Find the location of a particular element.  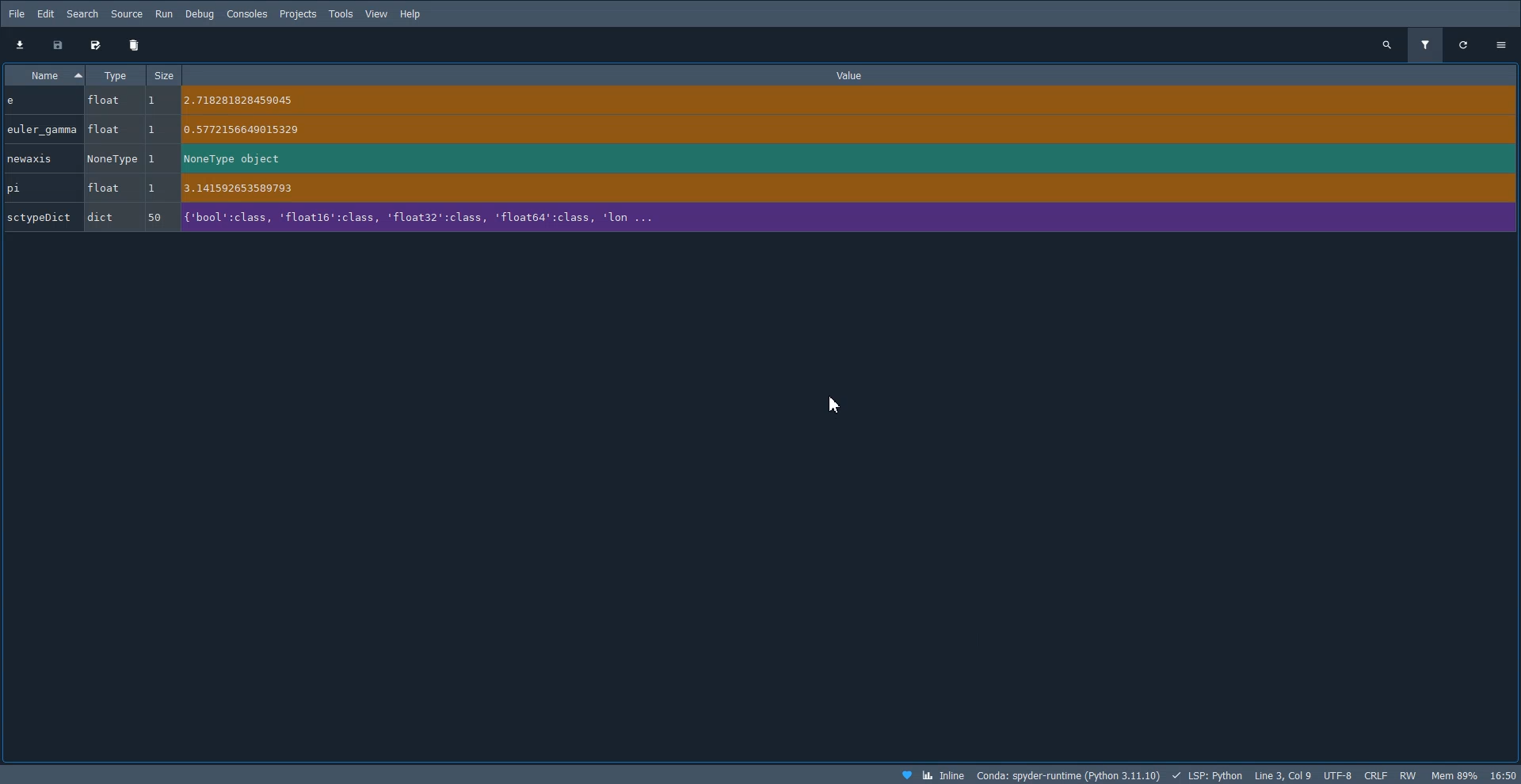

Help is located at coordinates (410, 13).